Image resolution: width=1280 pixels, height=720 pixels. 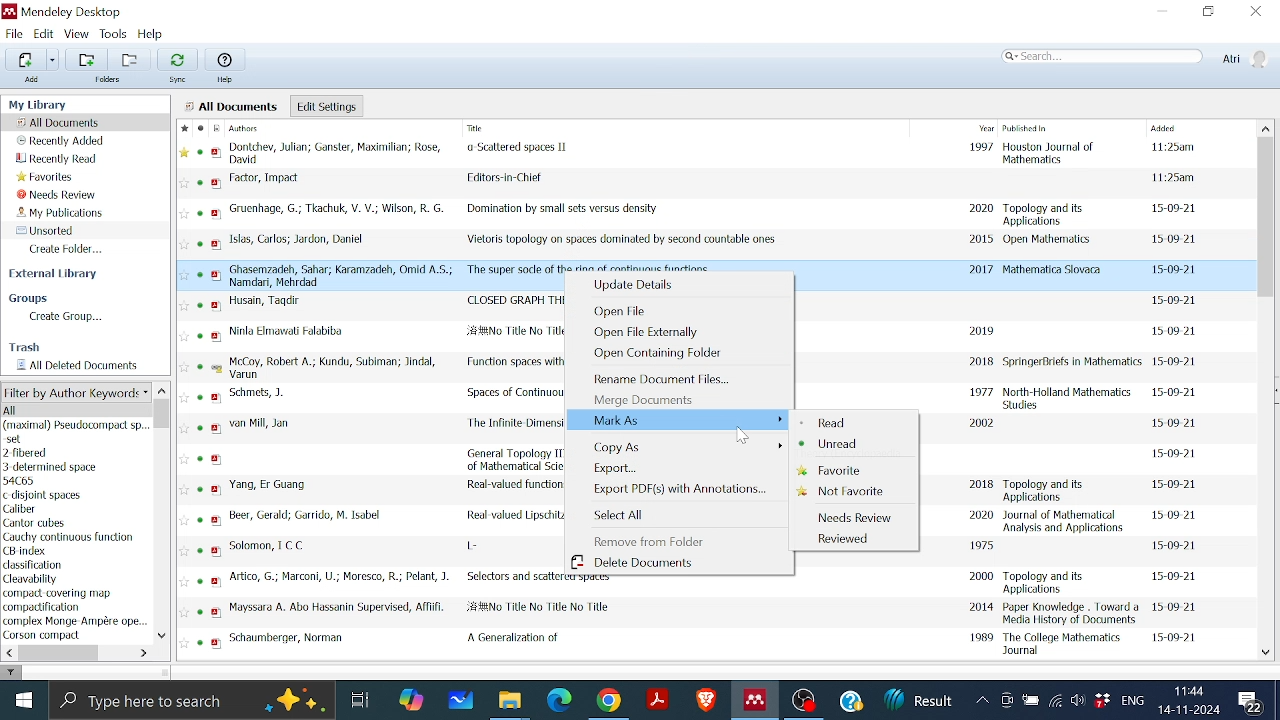 I want to click on filter, so click(x=20, y=672).